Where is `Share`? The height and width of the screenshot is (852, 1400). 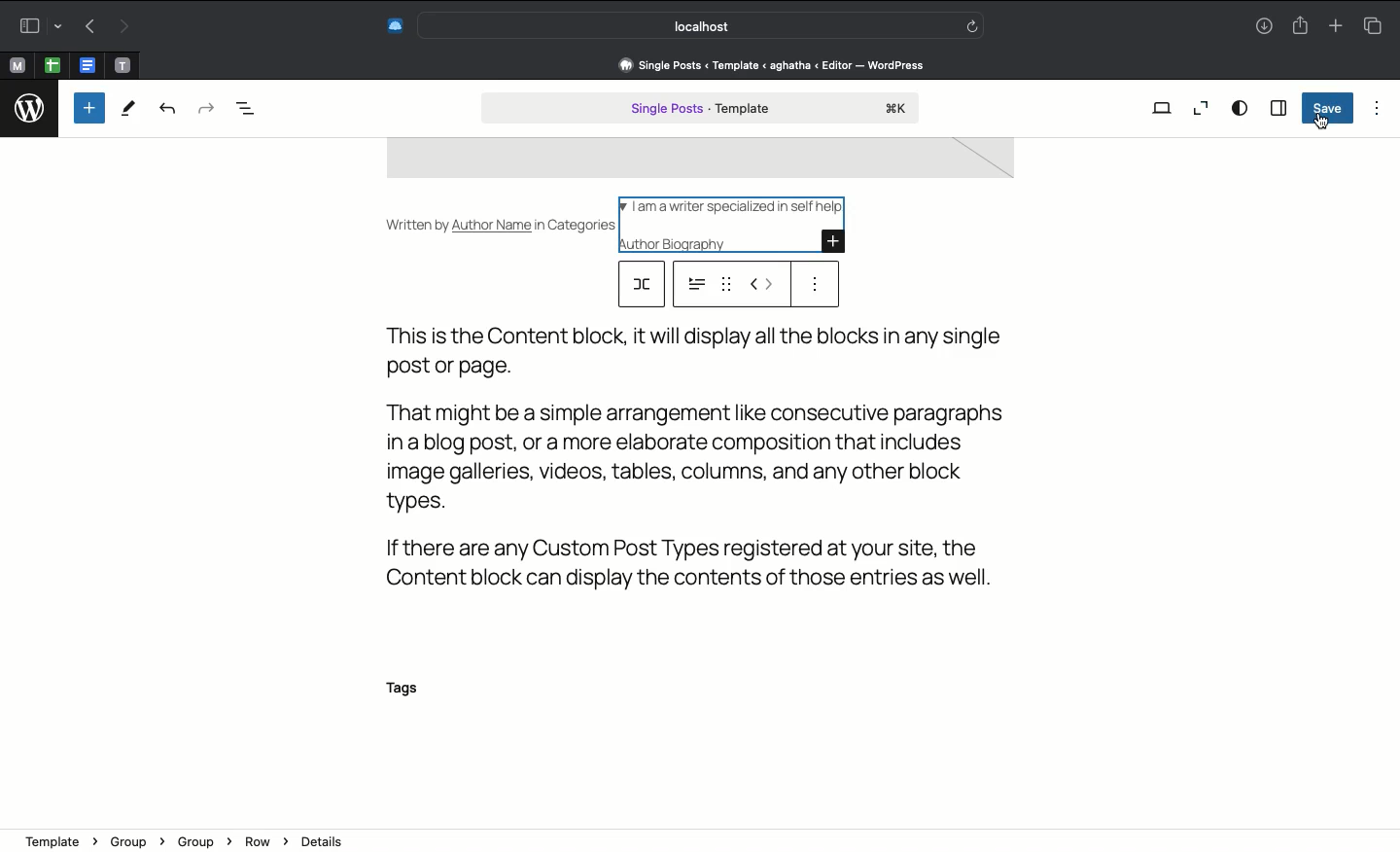 Share is located at coordinates (1300, 26).